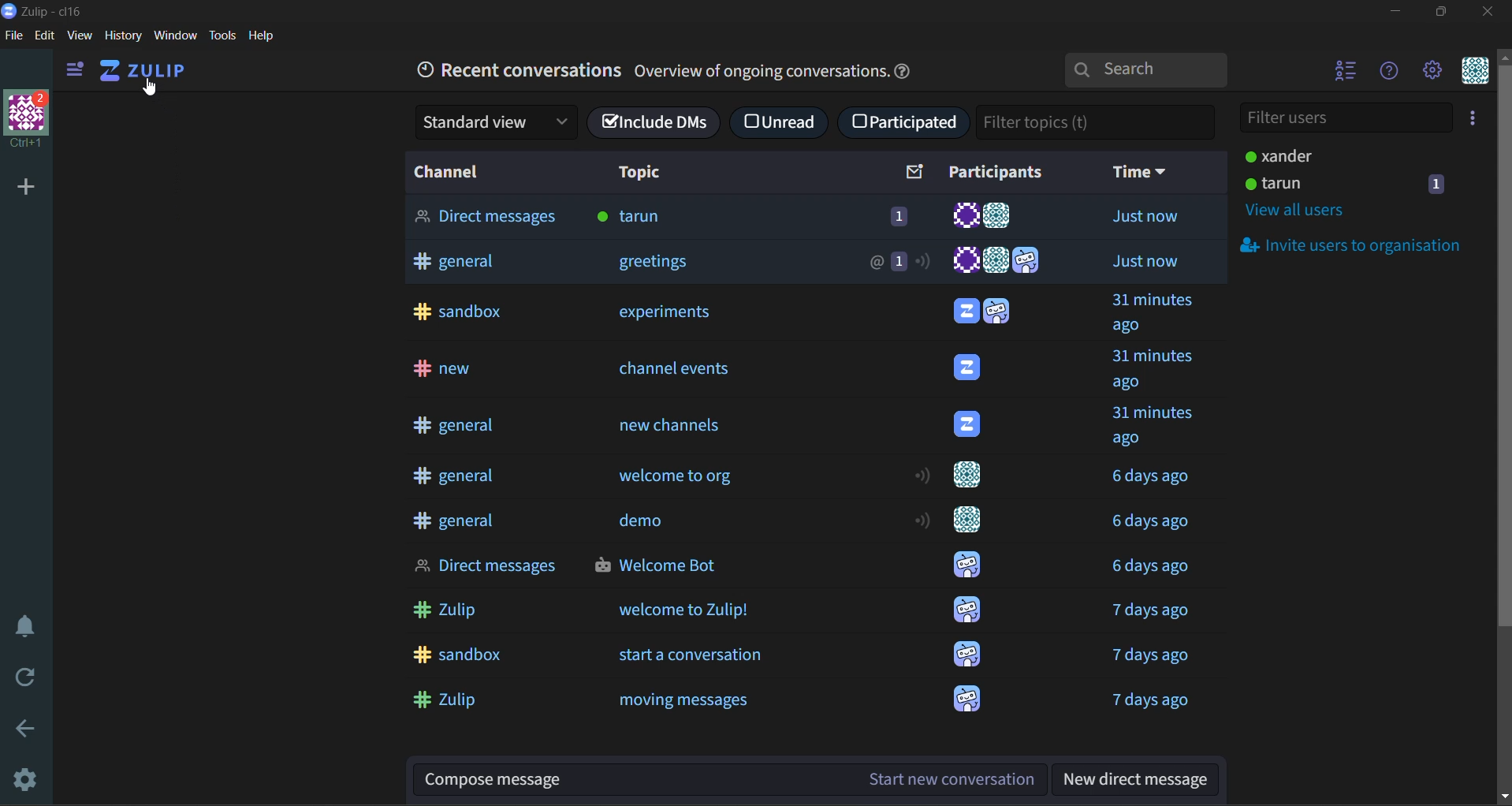  I want to click on expirements, so click(674, 312).